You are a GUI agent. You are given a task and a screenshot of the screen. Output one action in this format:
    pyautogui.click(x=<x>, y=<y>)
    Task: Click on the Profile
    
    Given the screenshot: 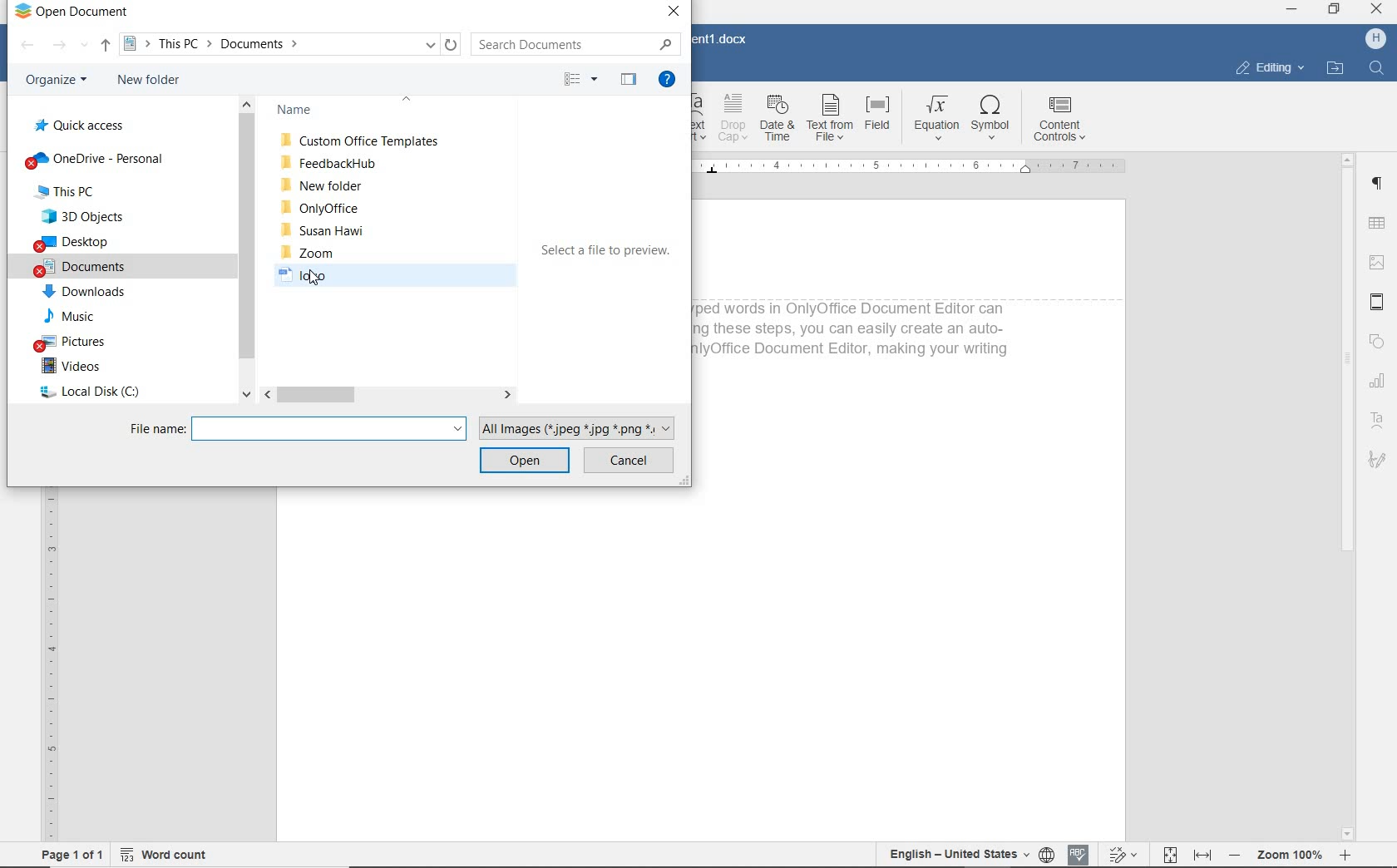 What is the action you would take?
    pyautogui.click(x=1375, y=39)
    